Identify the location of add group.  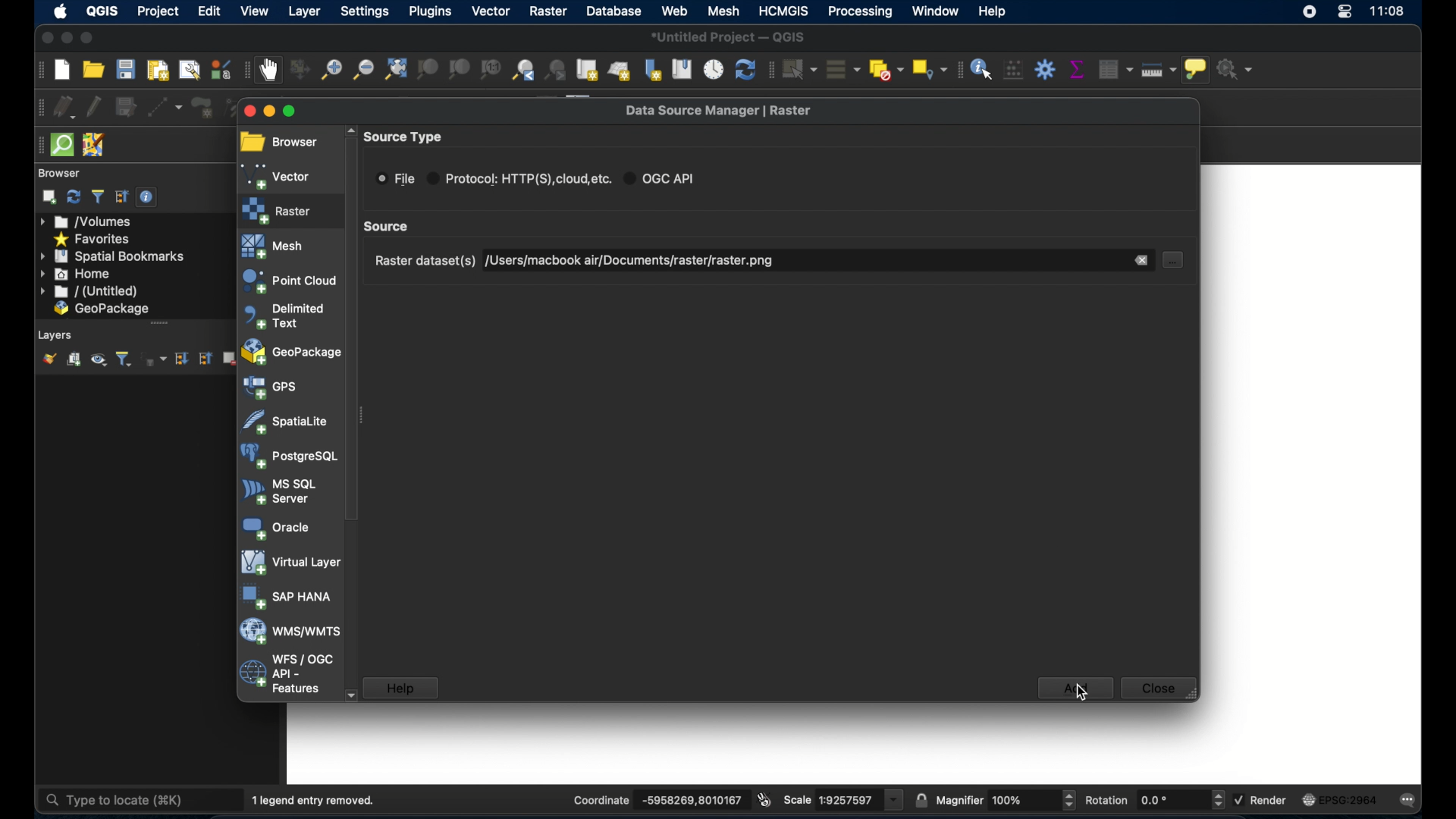
(74, 359).